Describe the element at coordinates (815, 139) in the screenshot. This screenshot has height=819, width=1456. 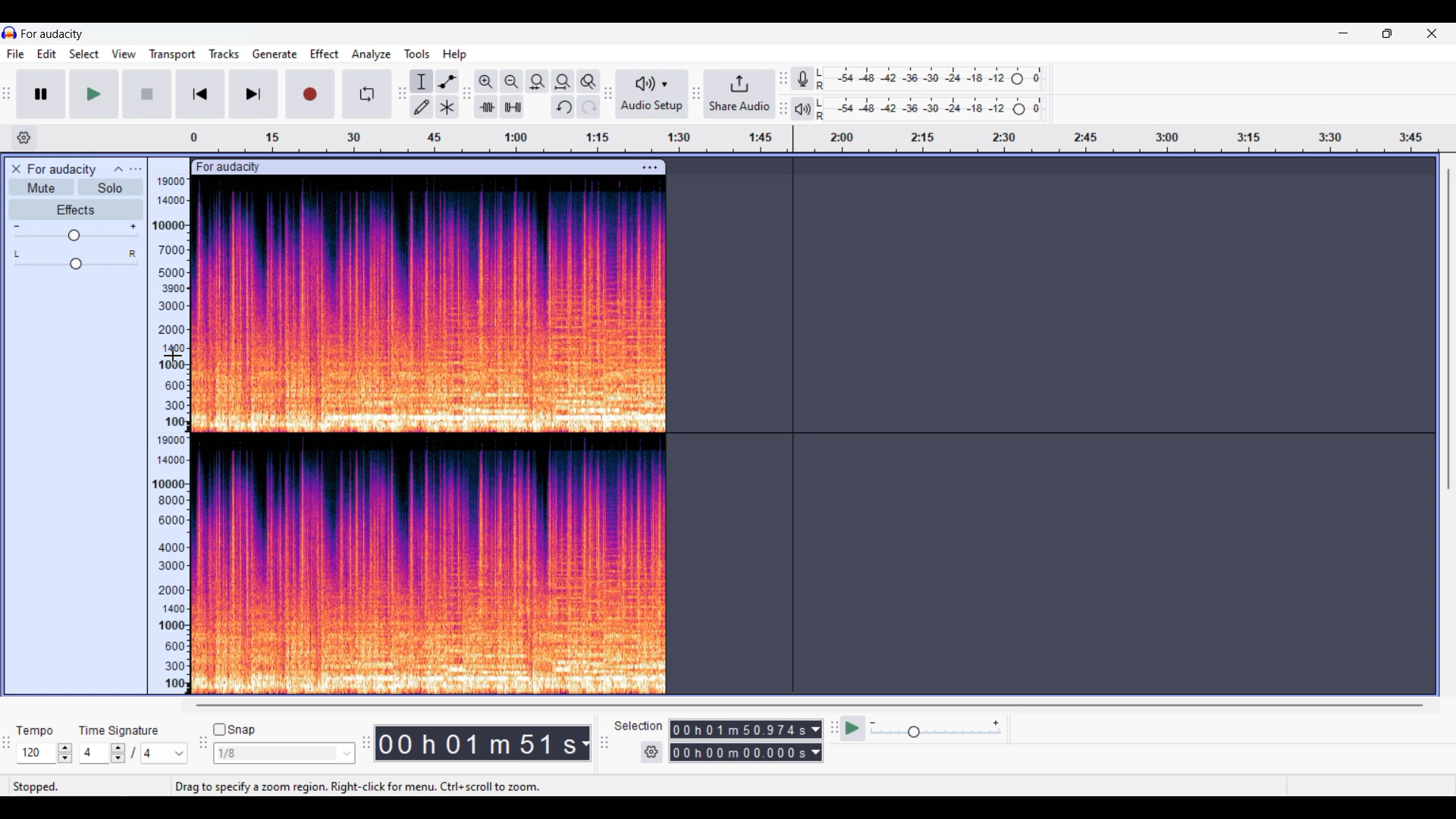
I see `Scale to measure track length` at that location.